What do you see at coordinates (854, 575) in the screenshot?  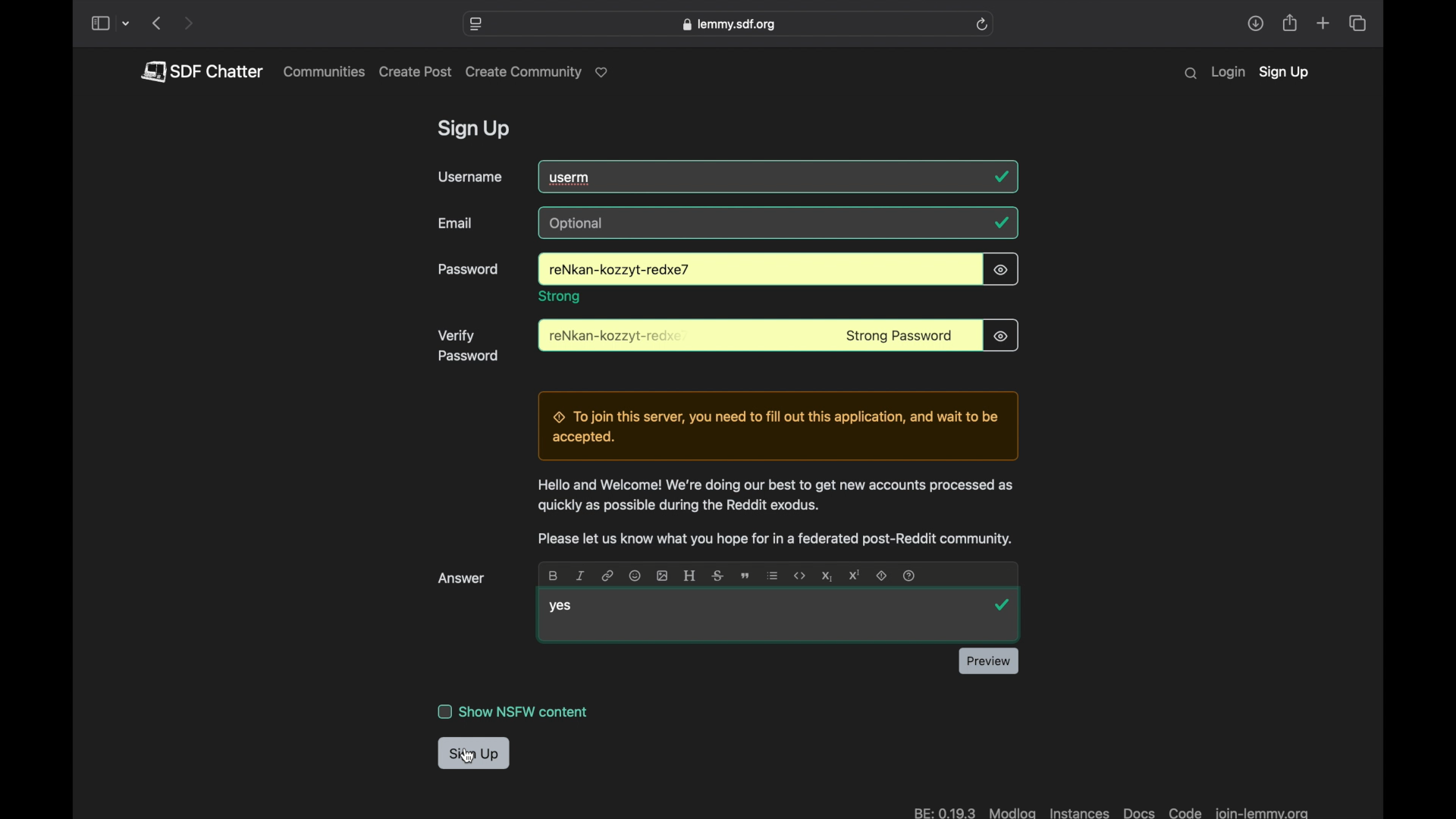 I see `superscript` at bounding box center [854, 575].